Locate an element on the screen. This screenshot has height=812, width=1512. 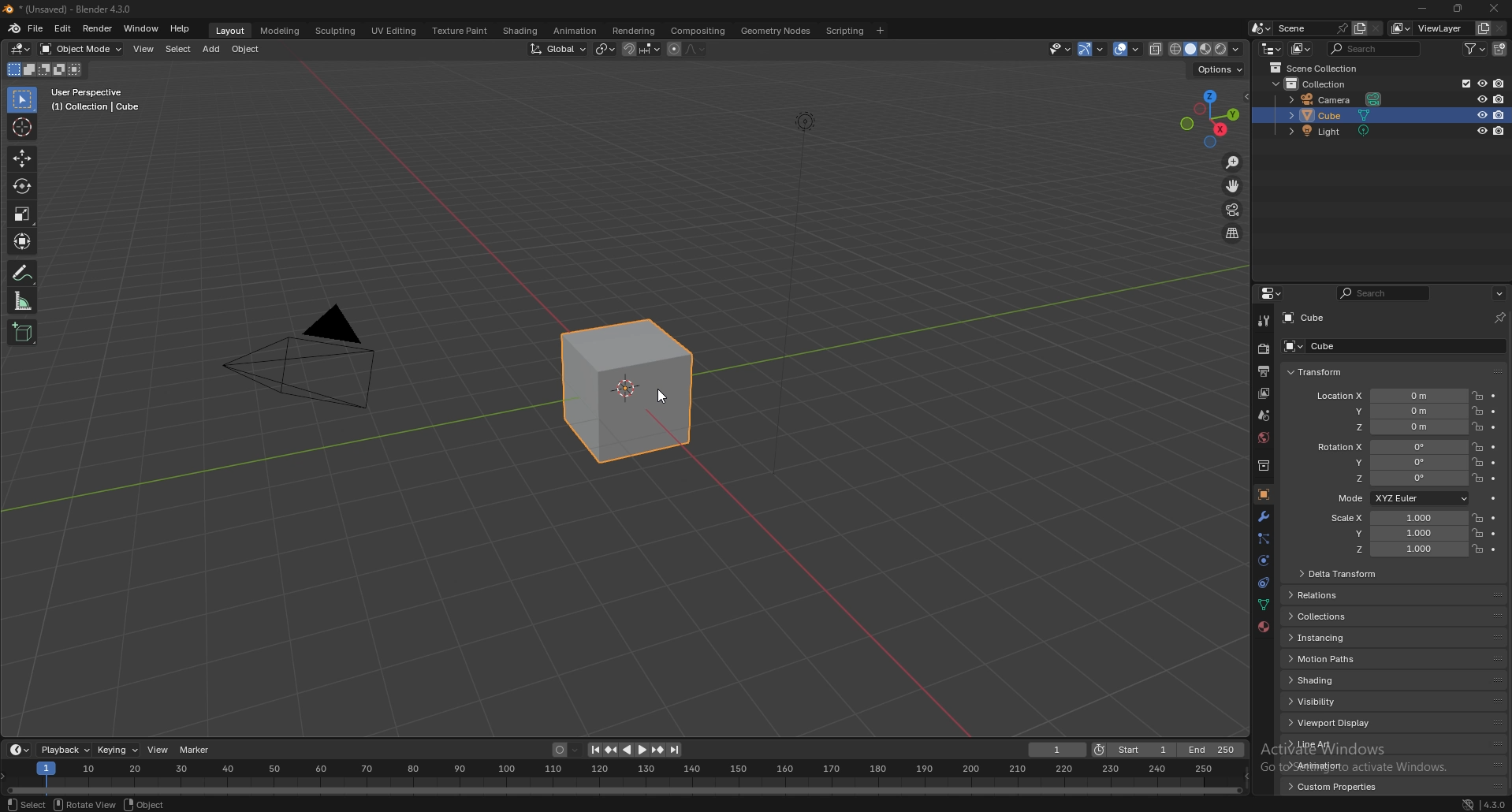
display mode is located at coordinates (1302, 50).